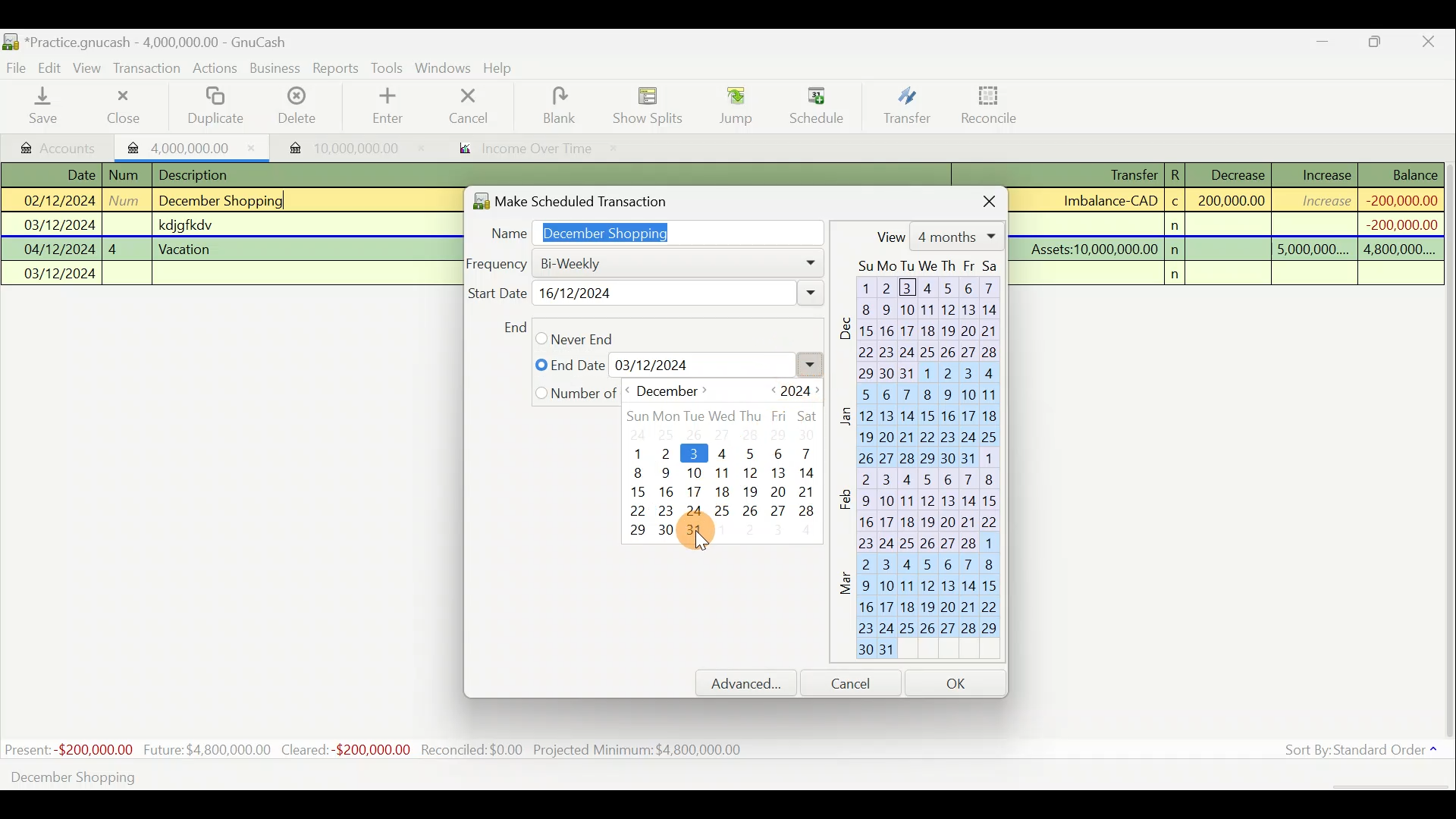 The width and height of the screenshot is (1456, 819). I want to click on Cancel, so click(858, 682).